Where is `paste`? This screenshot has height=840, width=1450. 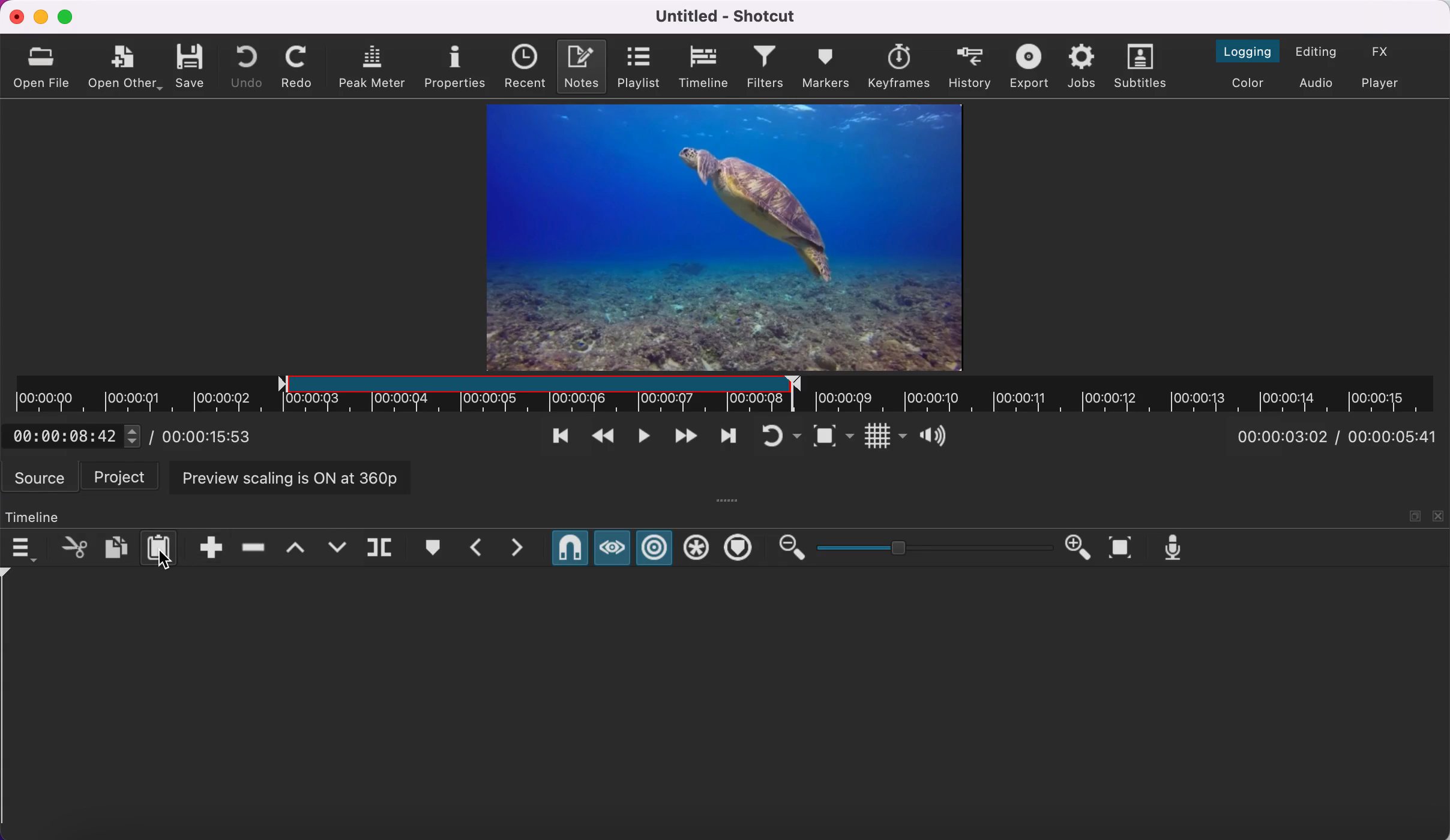
paste is located at coordinates (161, 547).